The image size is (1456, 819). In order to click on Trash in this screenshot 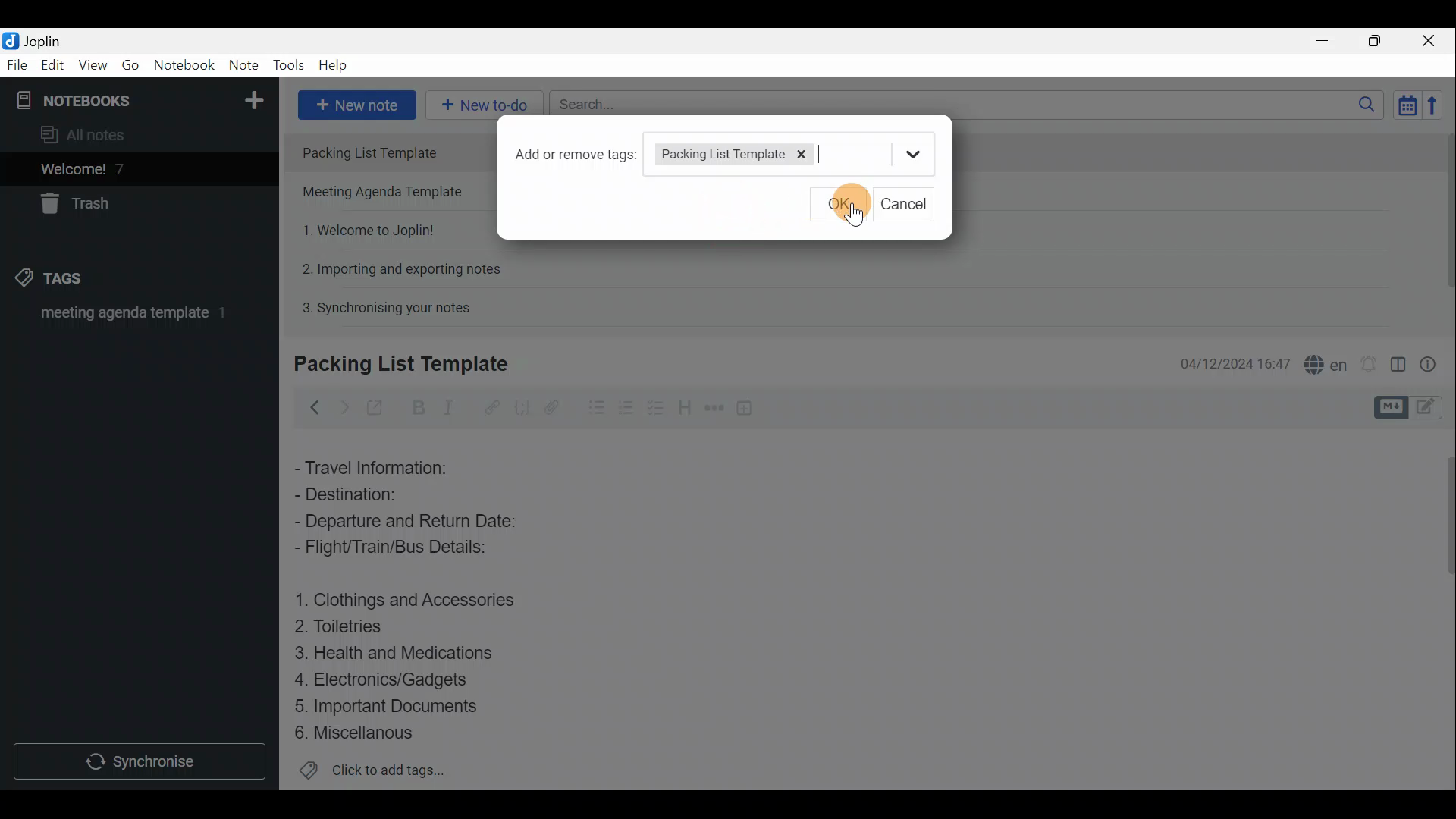, I will do `click(81, 206)`.